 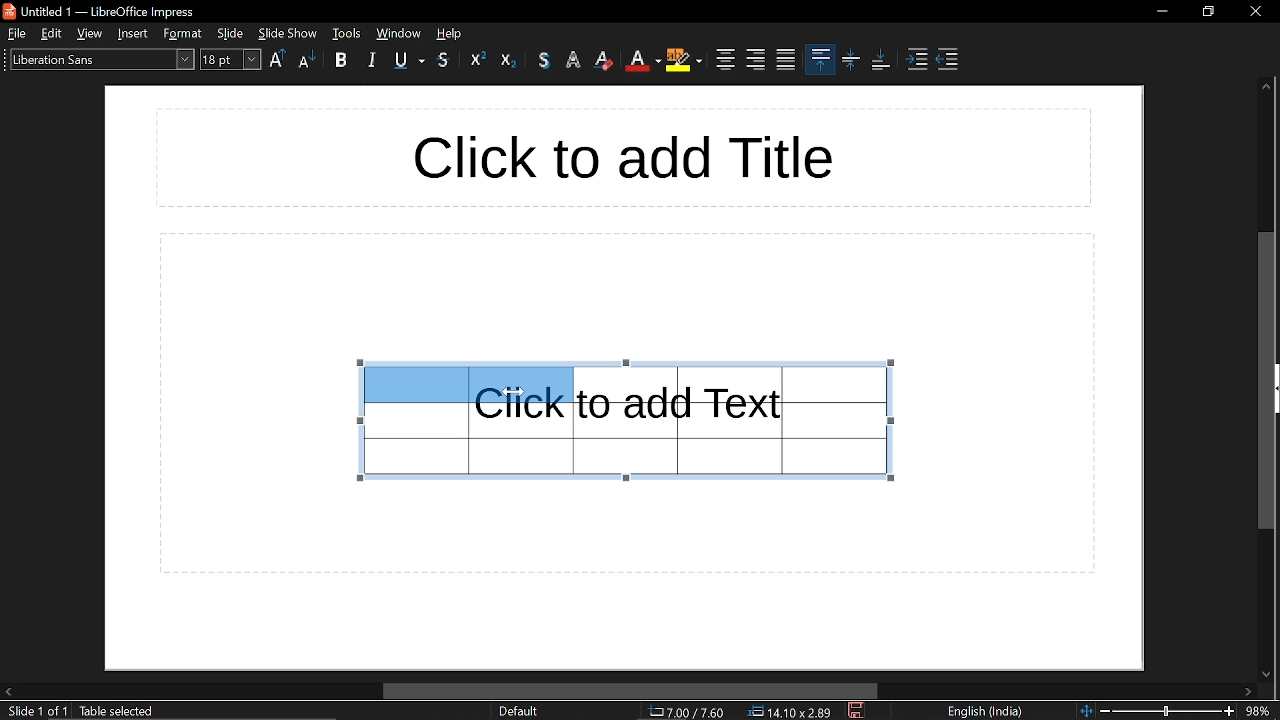 I want to click on shadow, so click(x=544, y=60).